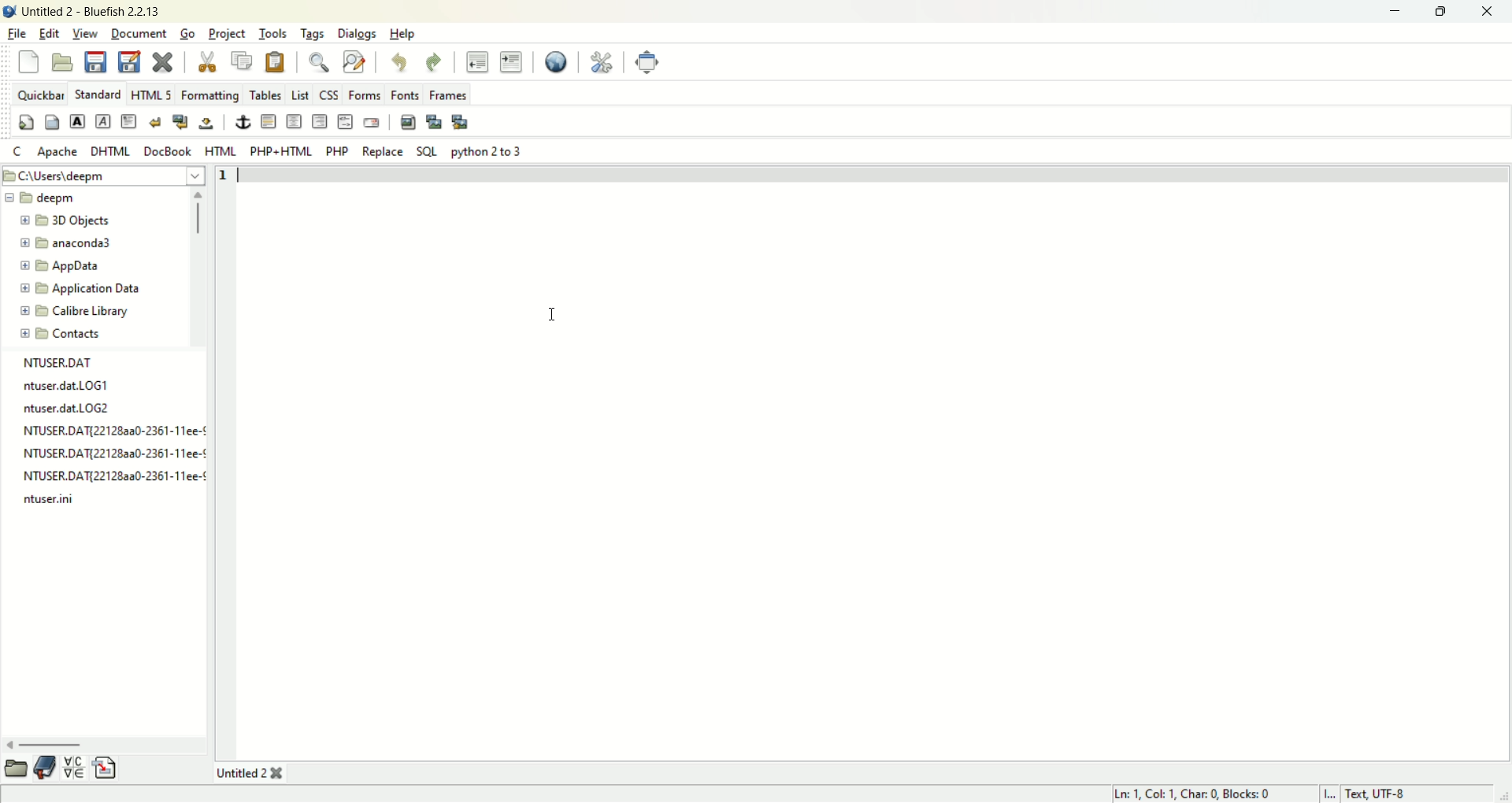  What do you see at coordinates (1196, 793) in the screenshot?
I see `Ln 1, Col, Char 0, Blocks` at bounding box center [1196, 793].